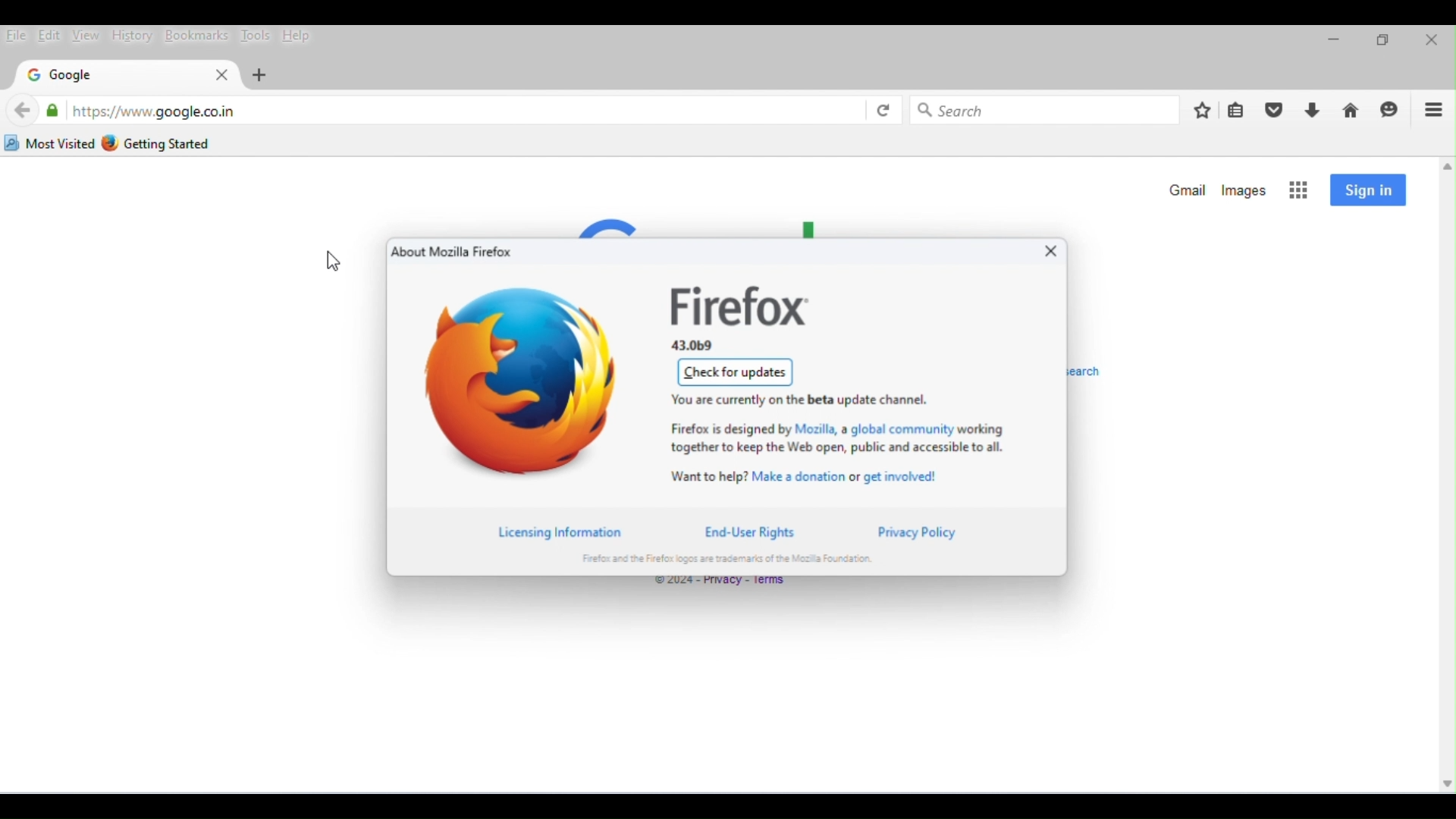 The width and height of the screenshot is (1456, 819). What do you see at coordinates (1185, 190) in the screenshot?
I see `gmail` at bounding box center [1185, 190].